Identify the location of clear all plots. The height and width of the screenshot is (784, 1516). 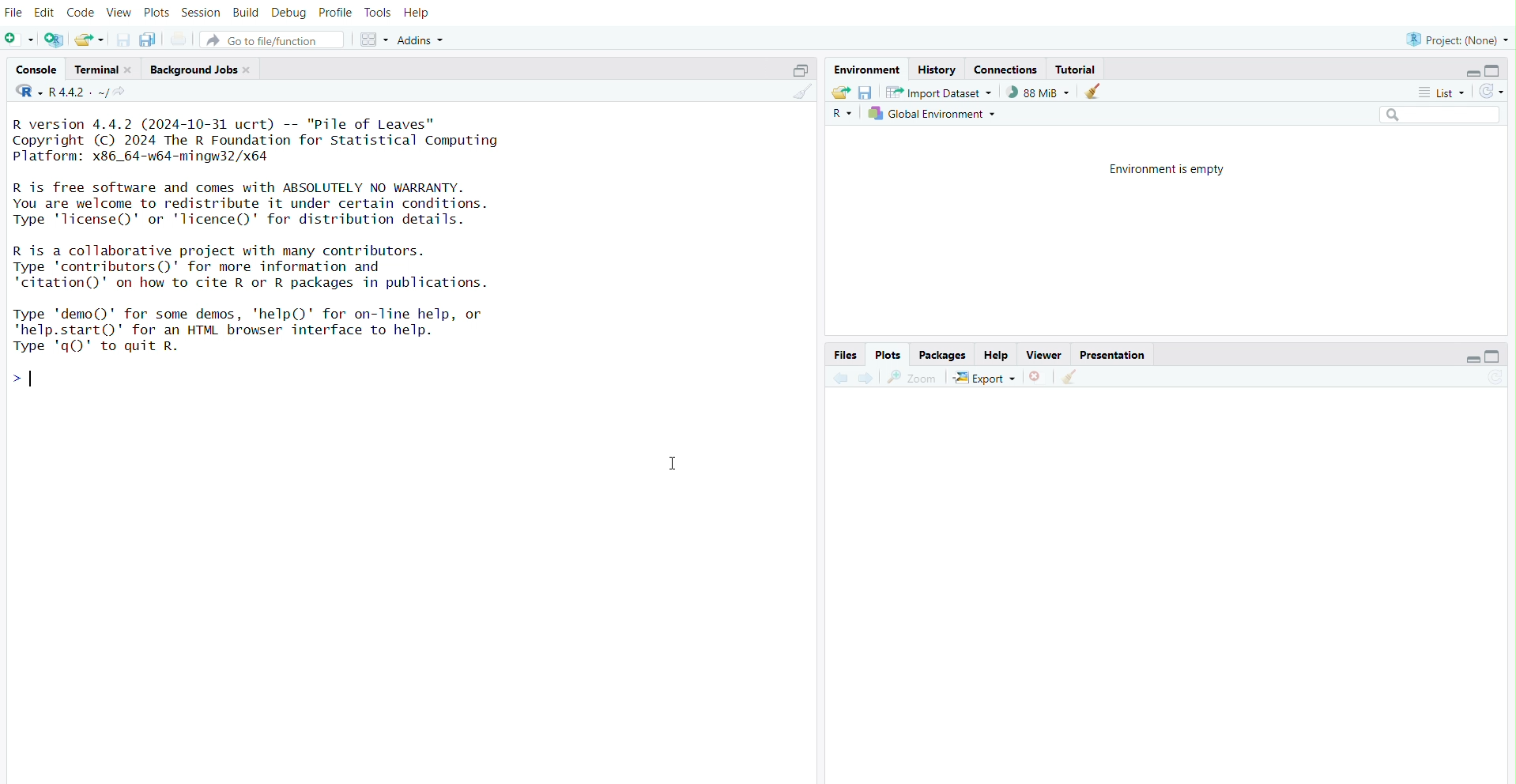
(1073, 377).